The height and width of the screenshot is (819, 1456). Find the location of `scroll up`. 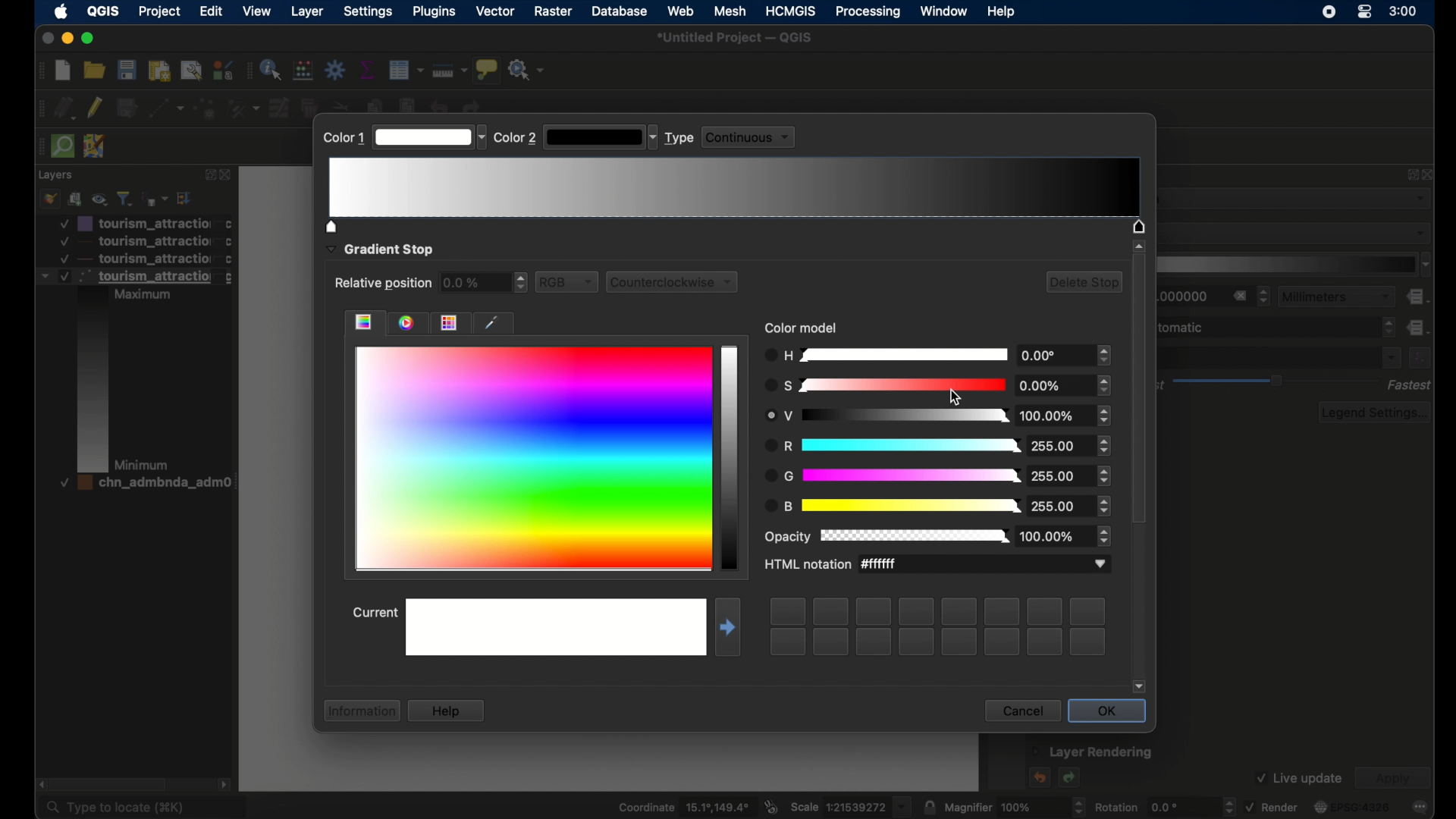

scroll up is located at coordinates (1137, 246).